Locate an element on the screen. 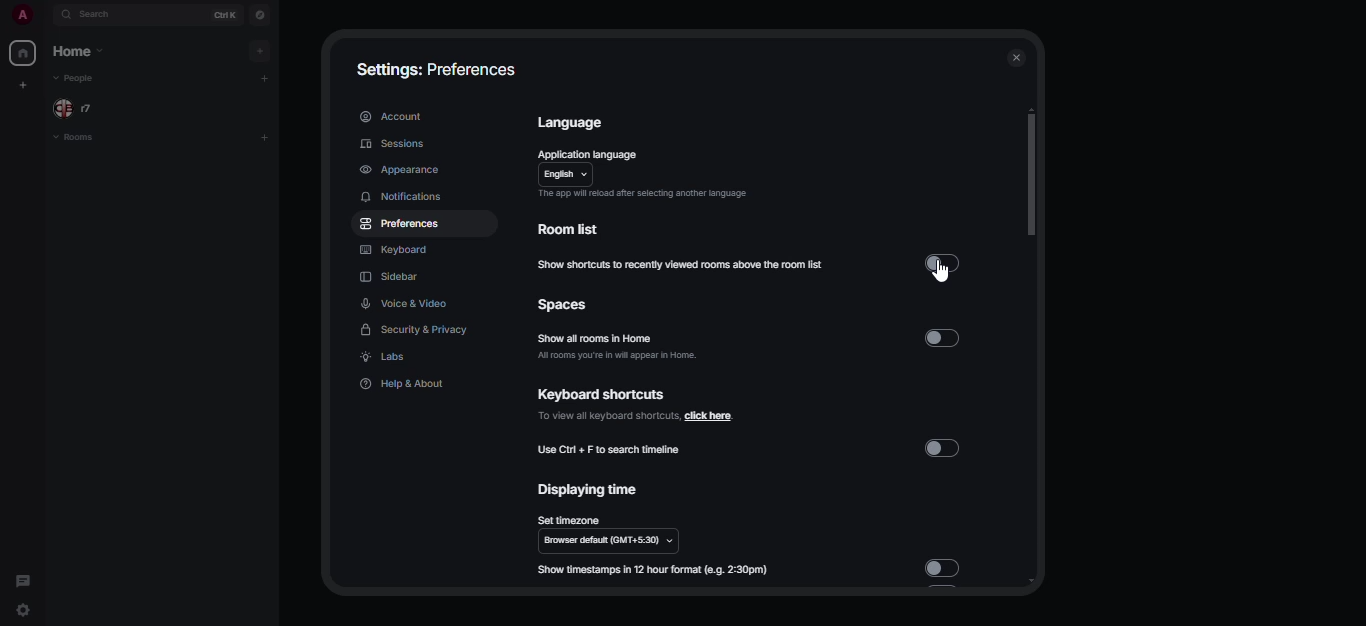  home is located at coordinates (78, 51).